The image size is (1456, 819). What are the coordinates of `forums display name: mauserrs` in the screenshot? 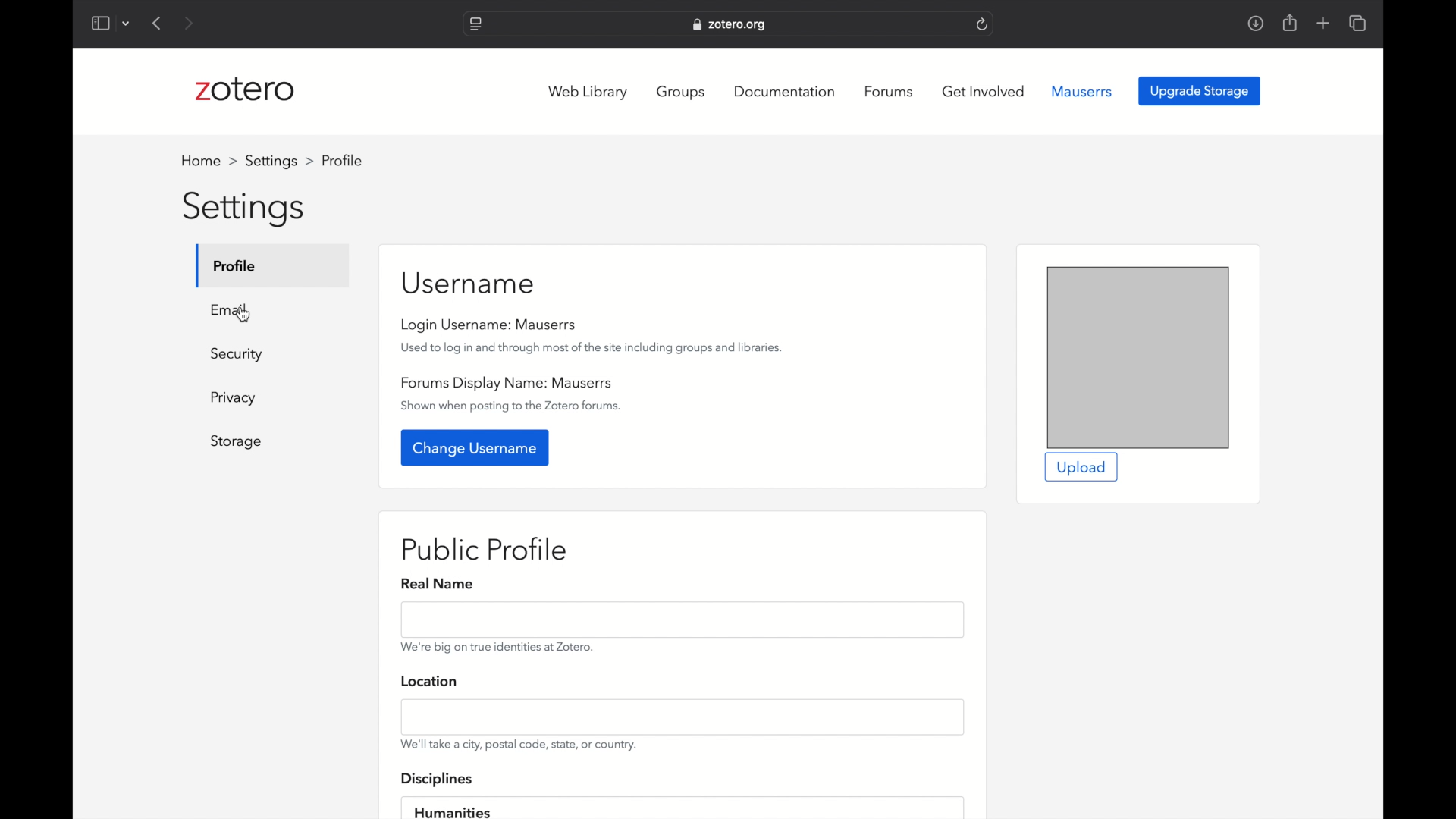 It's located at (510, 383).